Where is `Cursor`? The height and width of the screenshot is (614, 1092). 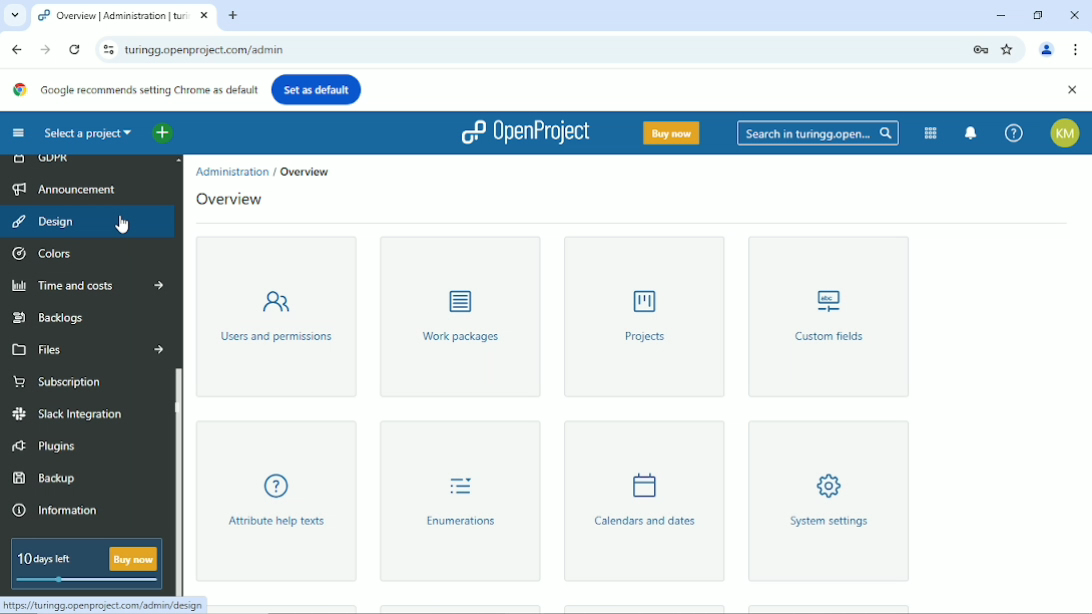 Cursor is located at coordinates (122, 221).